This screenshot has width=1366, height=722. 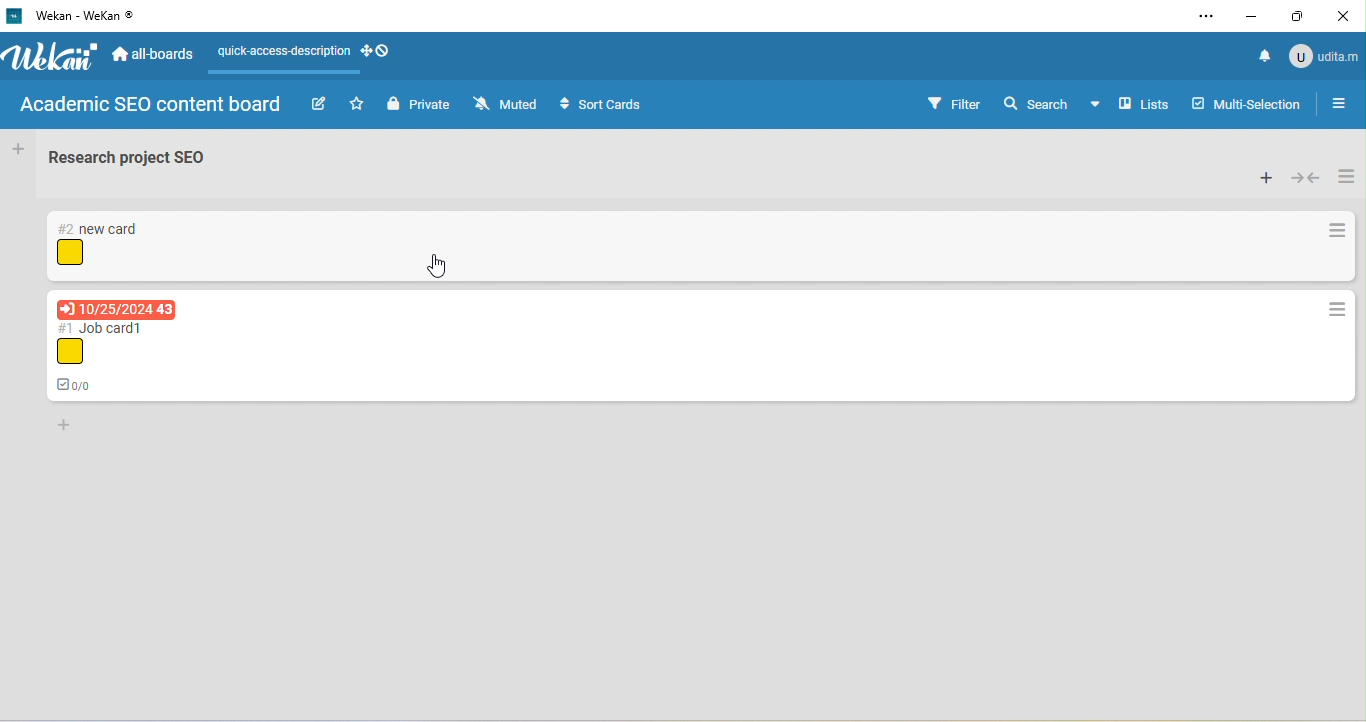 What do you see at coordinates (1249, 102) in the screenshot?
I see `multi selection` at bounding box center [1249, 102].